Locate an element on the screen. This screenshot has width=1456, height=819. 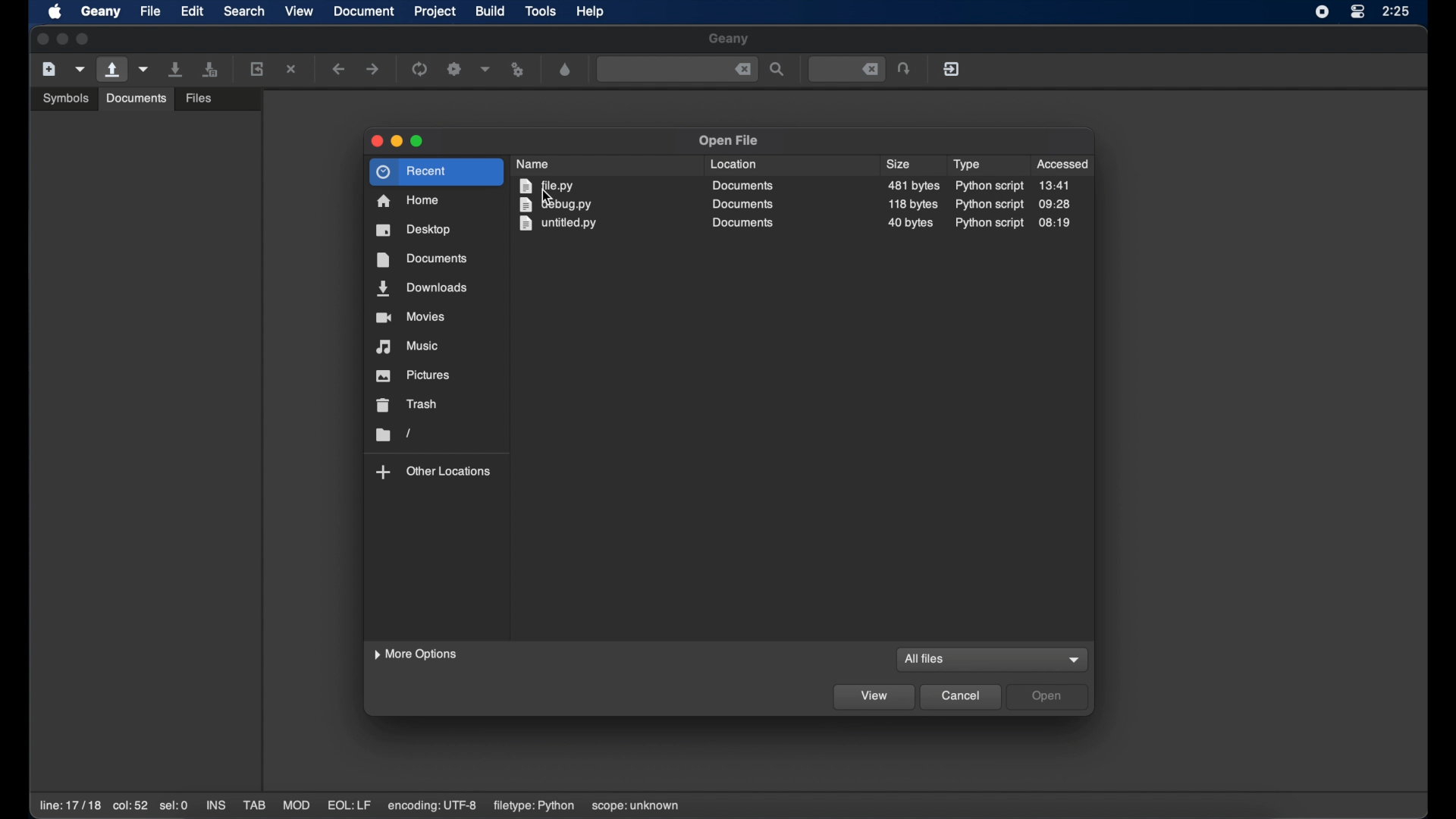
python script is located at coordinates (990, 224).